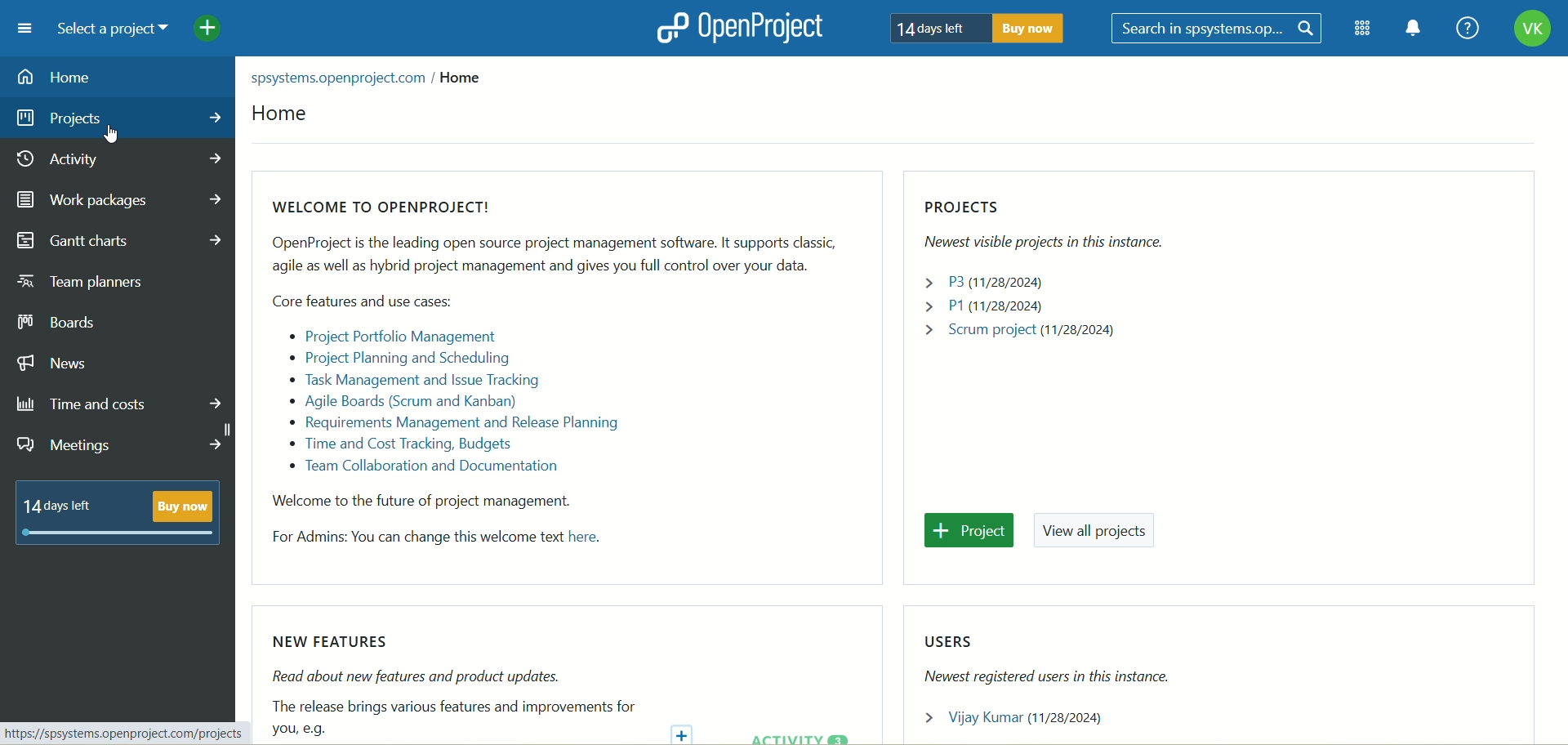  What do you see at coordinates (1466, 28) in the screenshot?
I see `help` at bounding box center [1466, 28].